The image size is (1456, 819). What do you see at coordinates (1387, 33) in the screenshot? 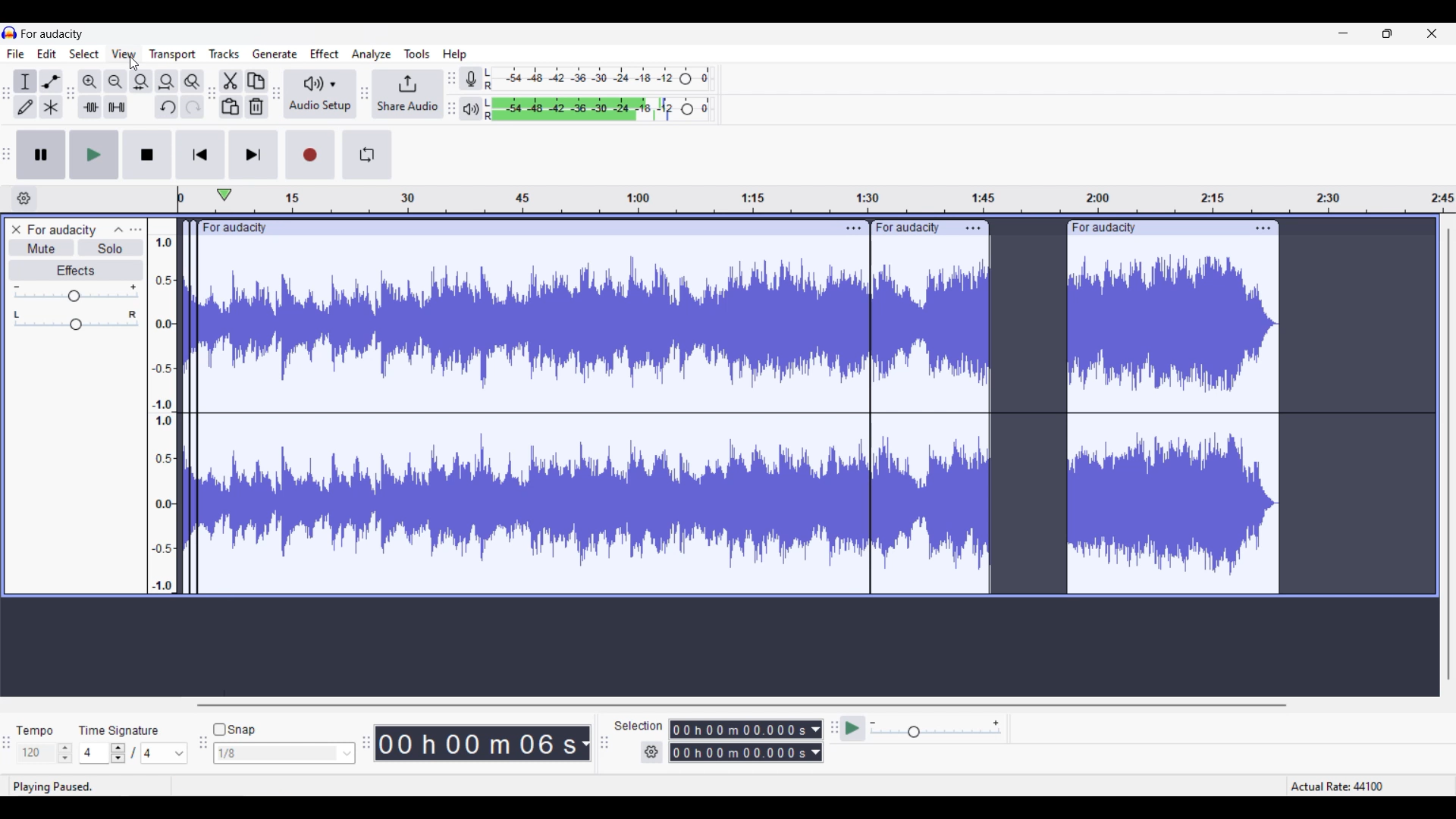
I see `Show in smaller tab` at bounding box center [1387, 33].